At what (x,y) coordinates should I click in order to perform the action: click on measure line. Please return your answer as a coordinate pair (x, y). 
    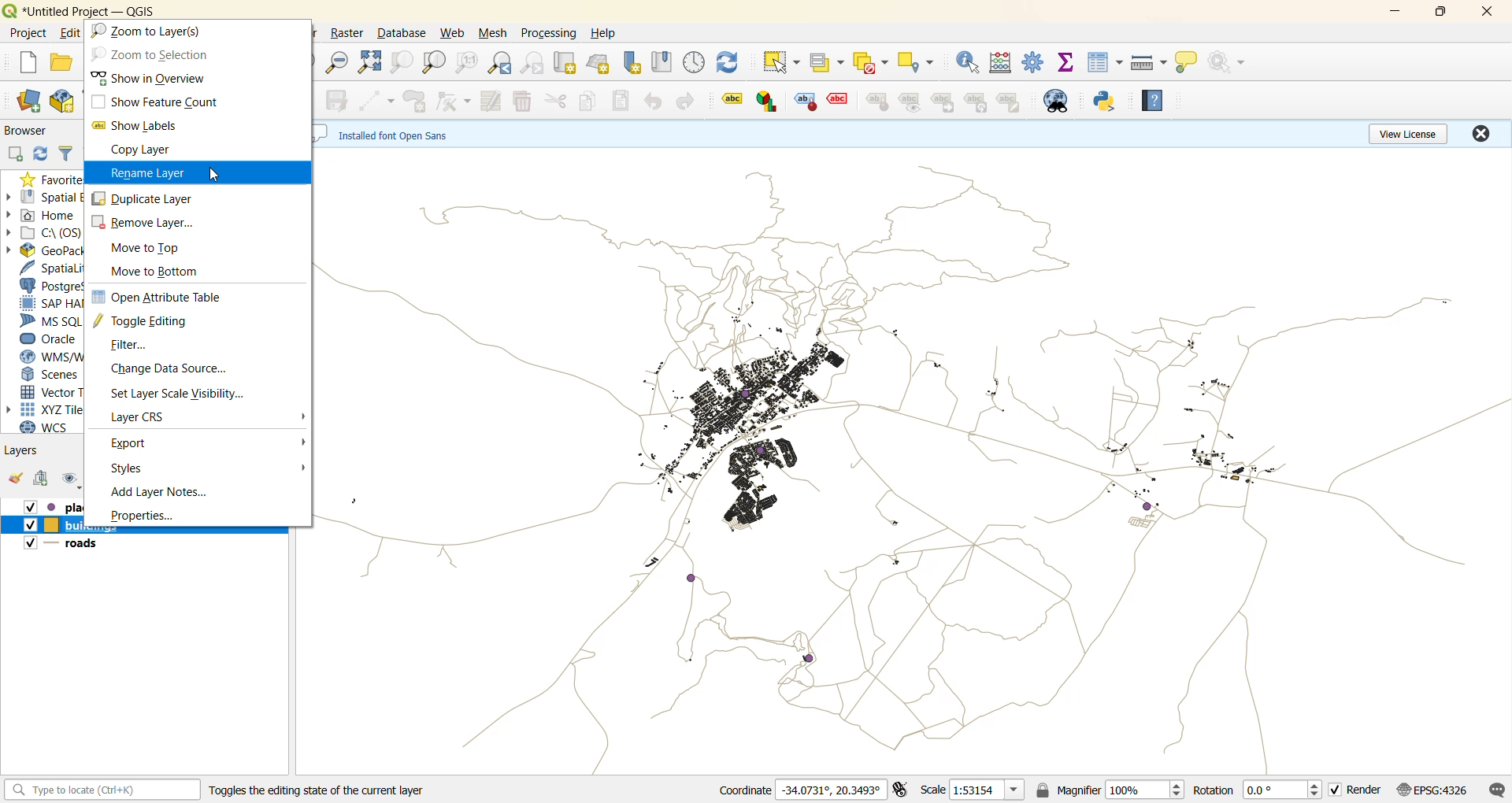
    Looking at the image, I should click on (1149, 64).